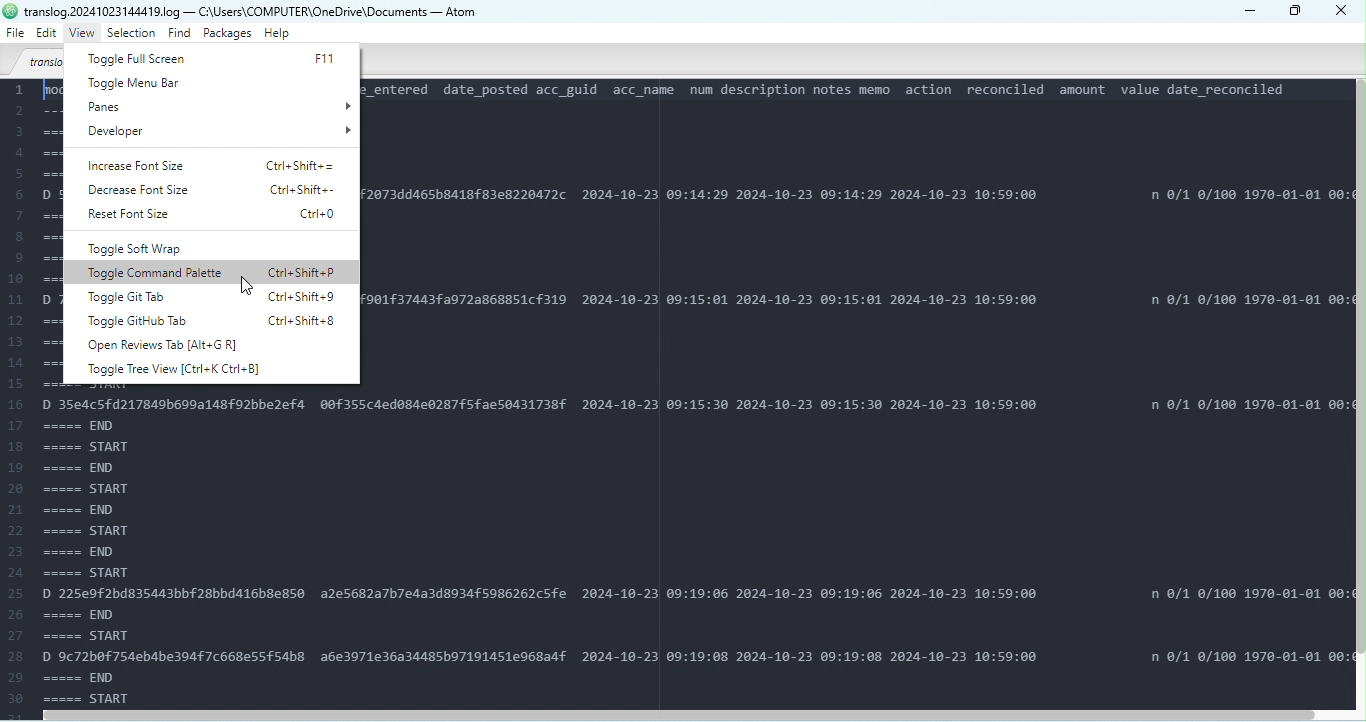 This screenshot has height=722, width=1366. Describe the element at coordinates (219, 134) in the screenshot. I see `Developer` at that location.